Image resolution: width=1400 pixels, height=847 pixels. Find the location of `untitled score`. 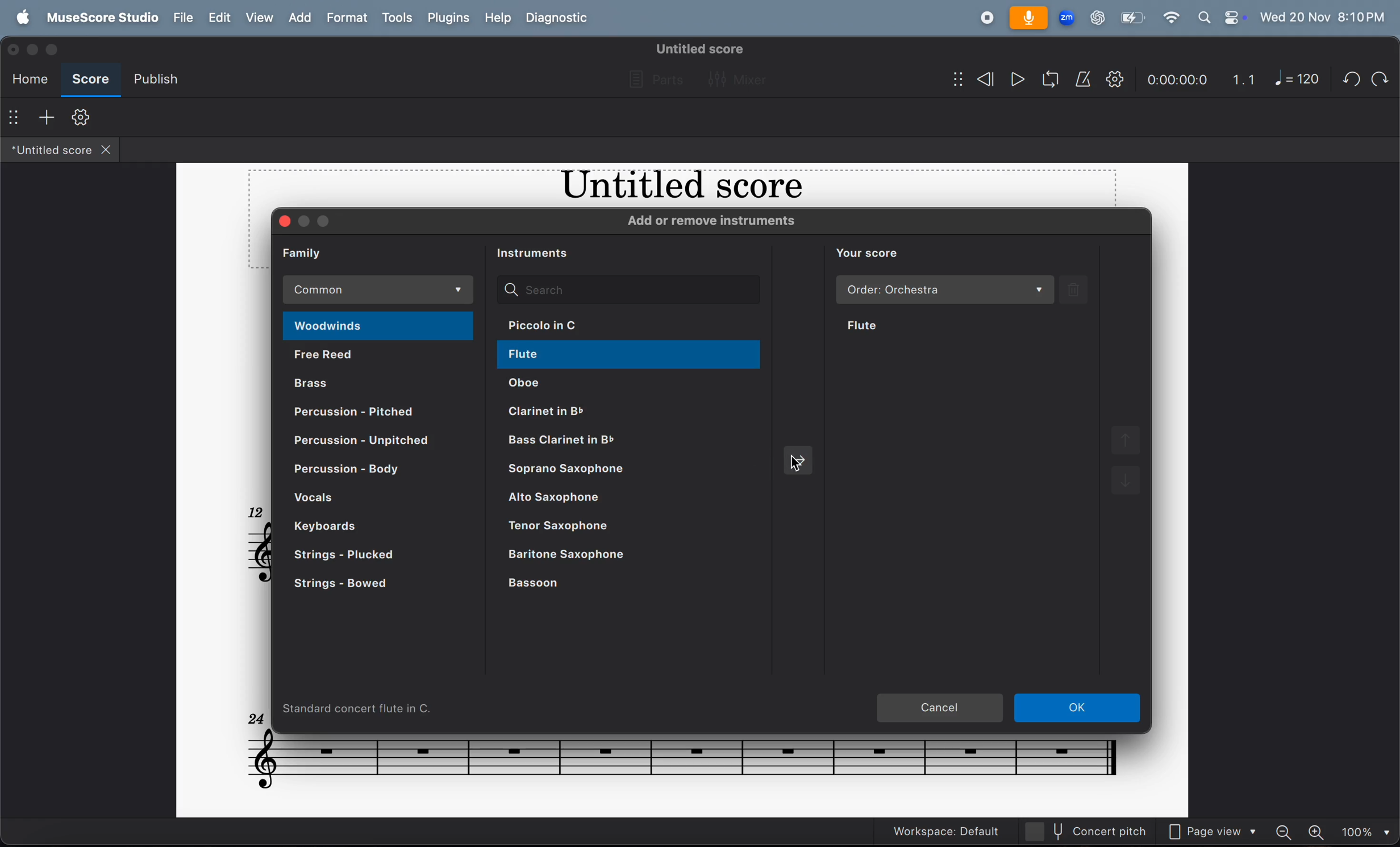

untitled score is located at coordinates (48, 151).